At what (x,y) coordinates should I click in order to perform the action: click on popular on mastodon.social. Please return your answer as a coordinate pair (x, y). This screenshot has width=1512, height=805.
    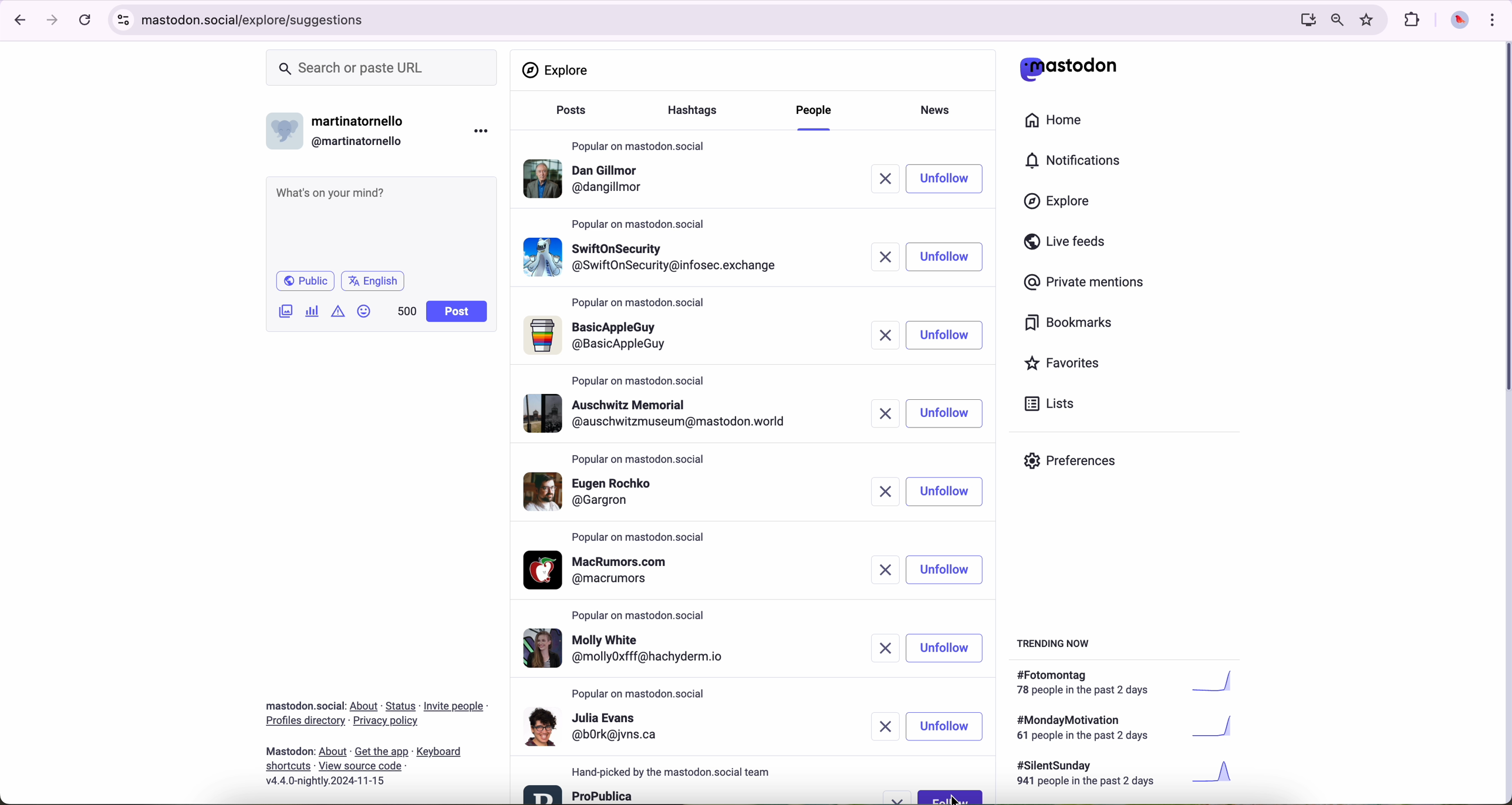
    Looking at the image, I should click on (639, 143).